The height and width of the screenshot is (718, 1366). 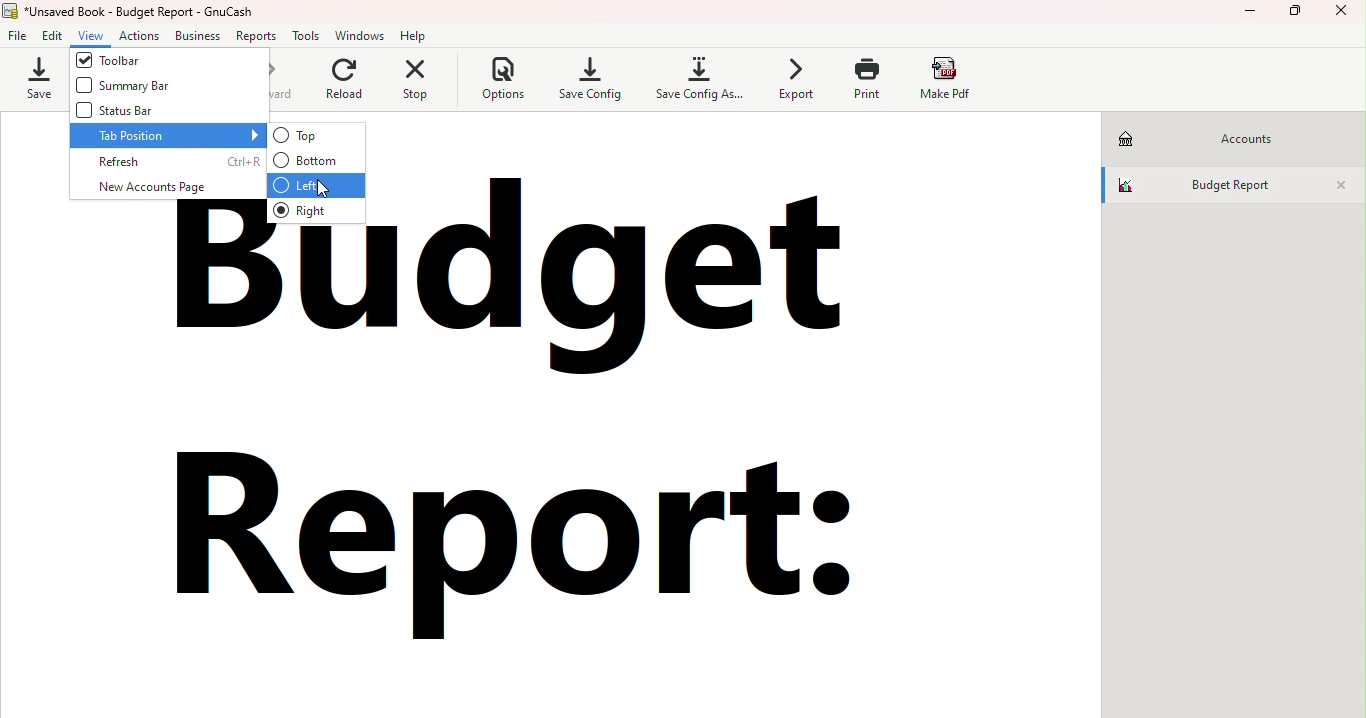 I want to click on Reload, so click(x=342, y=82).